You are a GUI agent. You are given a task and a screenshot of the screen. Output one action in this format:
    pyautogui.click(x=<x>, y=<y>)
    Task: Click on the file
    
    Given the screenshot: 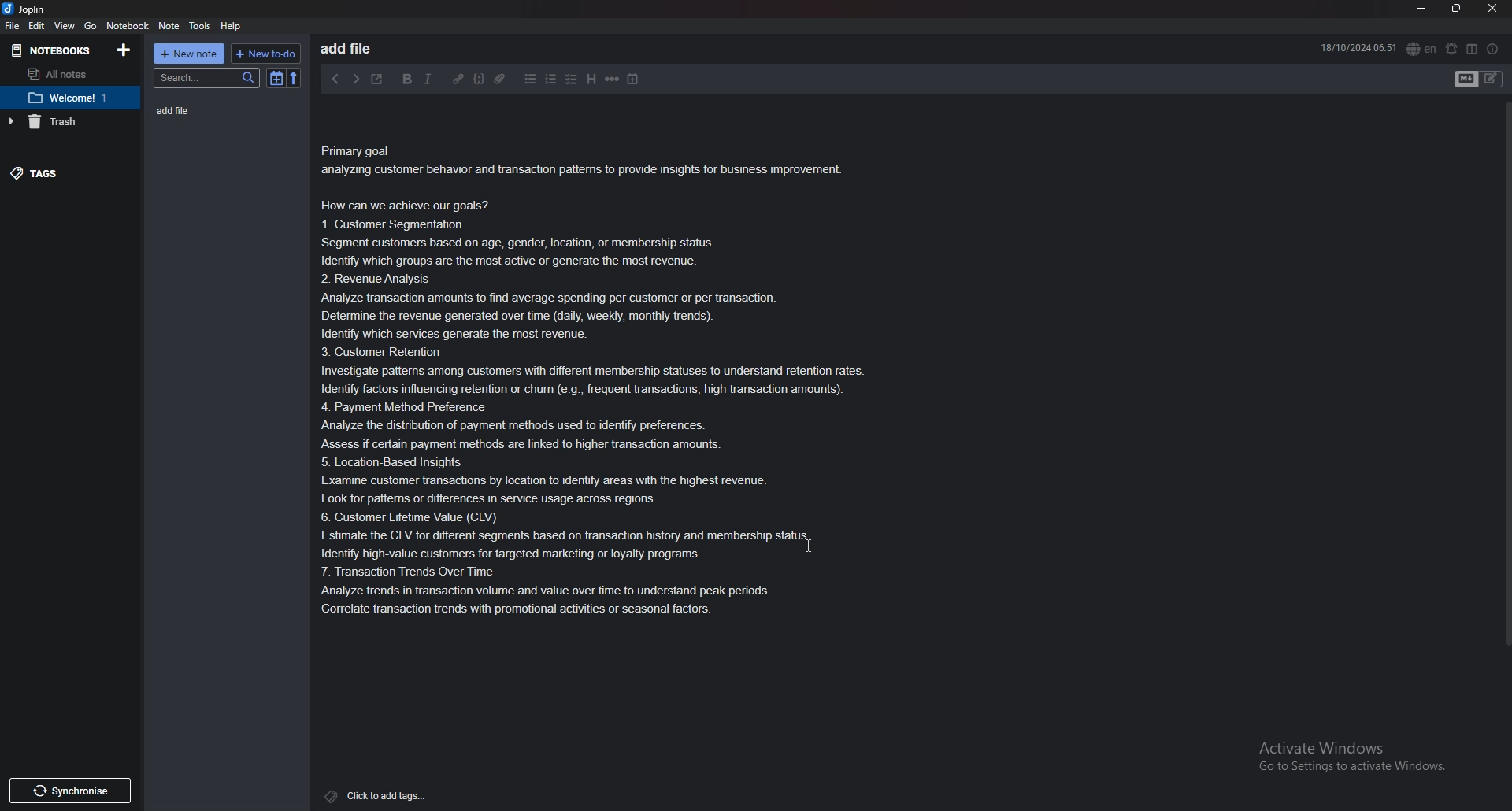 What is the action you would take?
    pyautogui.click(x=13, y=25)
    